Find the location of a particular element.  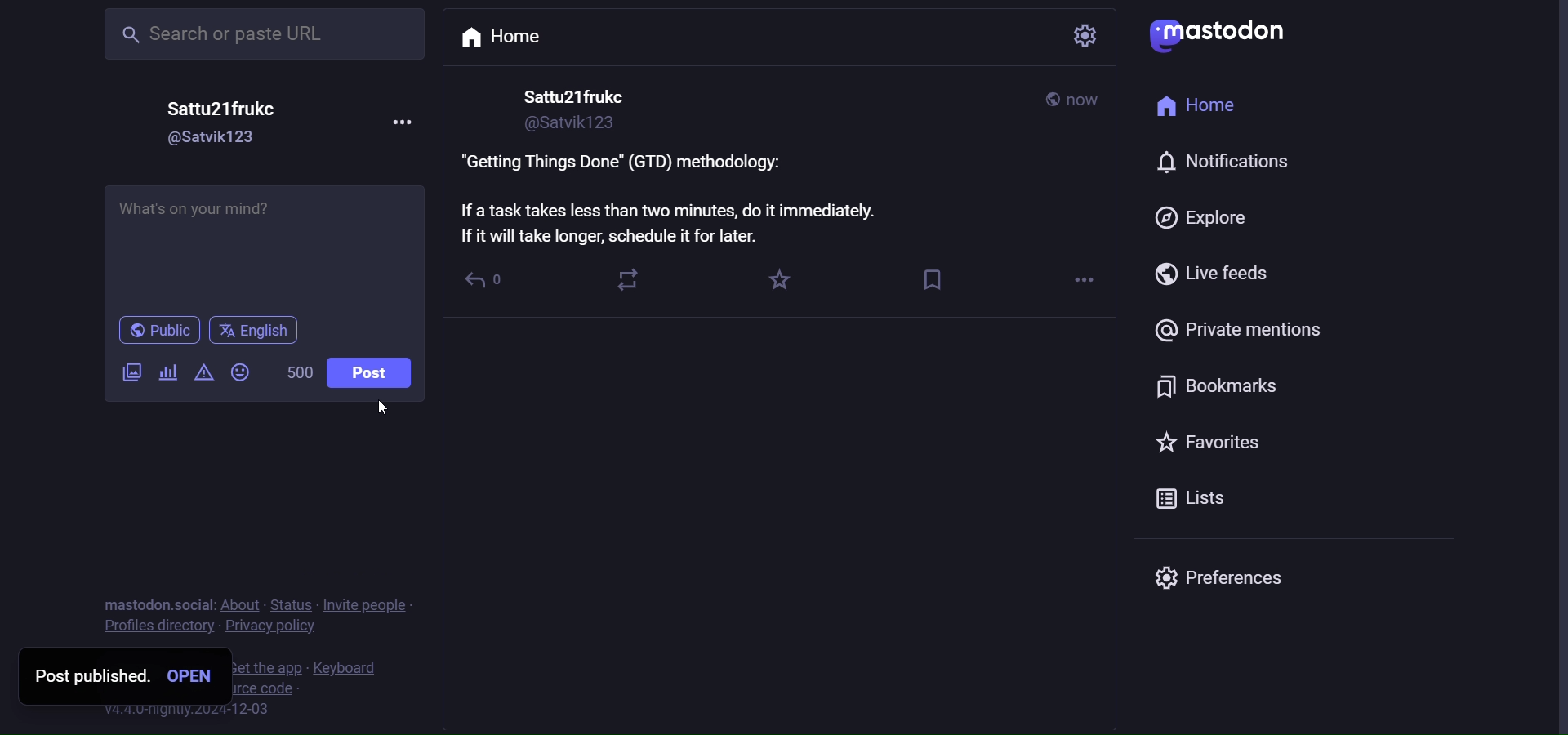

more is located at coordinates (1083, 283).